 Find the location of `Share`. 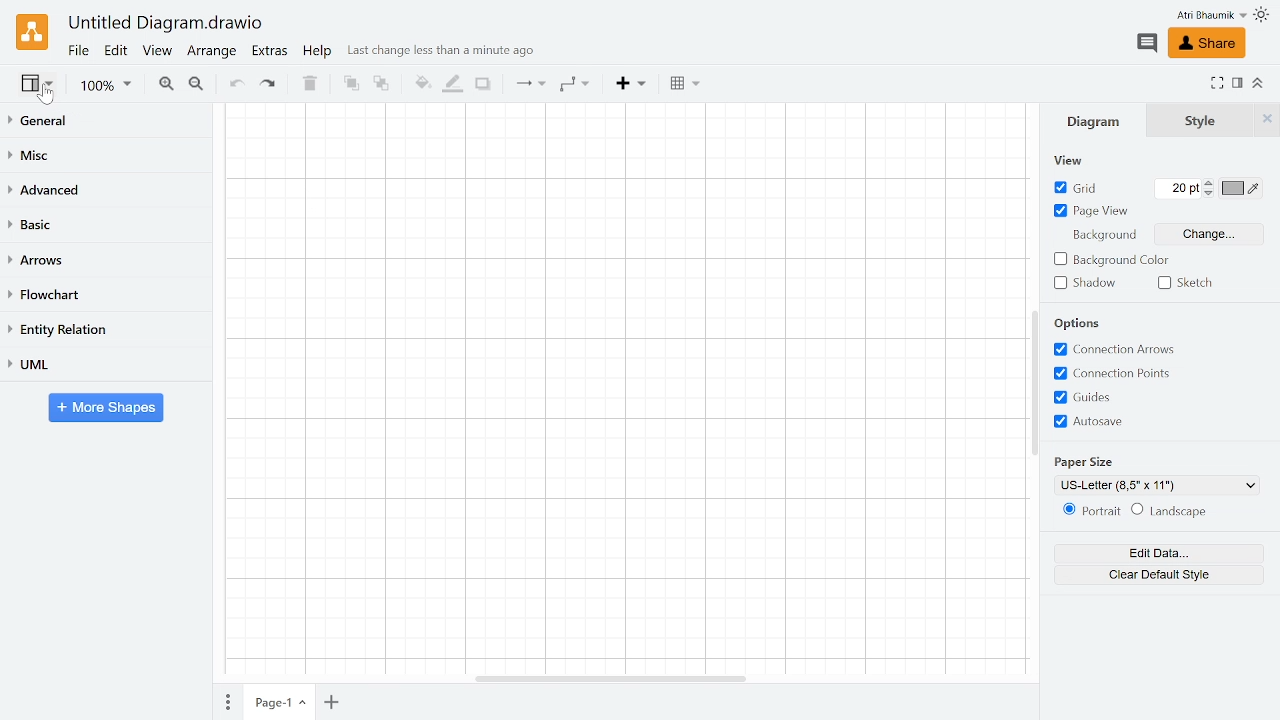

Share is located at coordinates (1208, 43).